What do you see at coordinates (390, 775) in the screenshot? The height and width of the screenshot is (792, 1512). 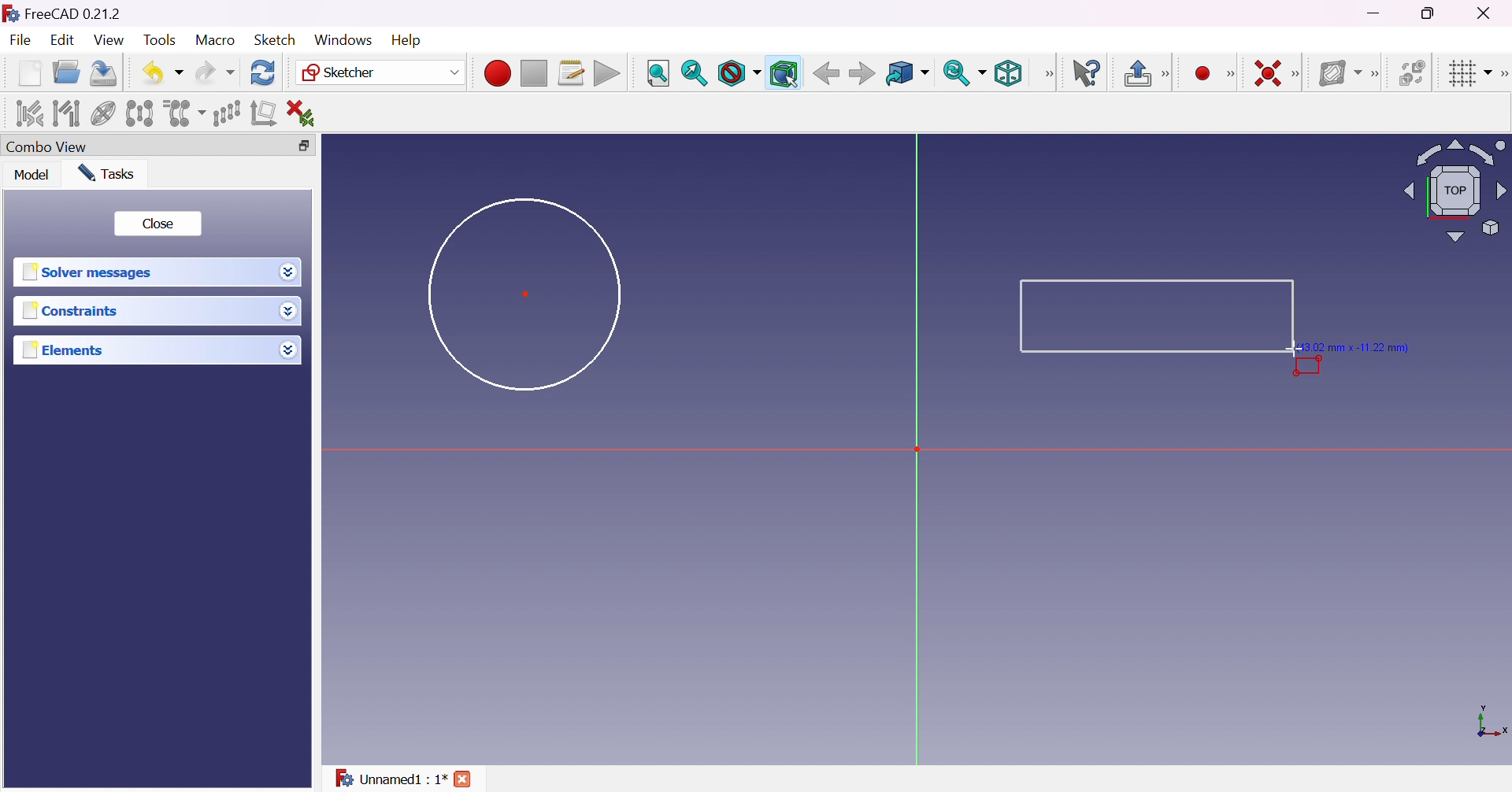 I see `Unnamed : 1*` at bounding box center [390, 775].